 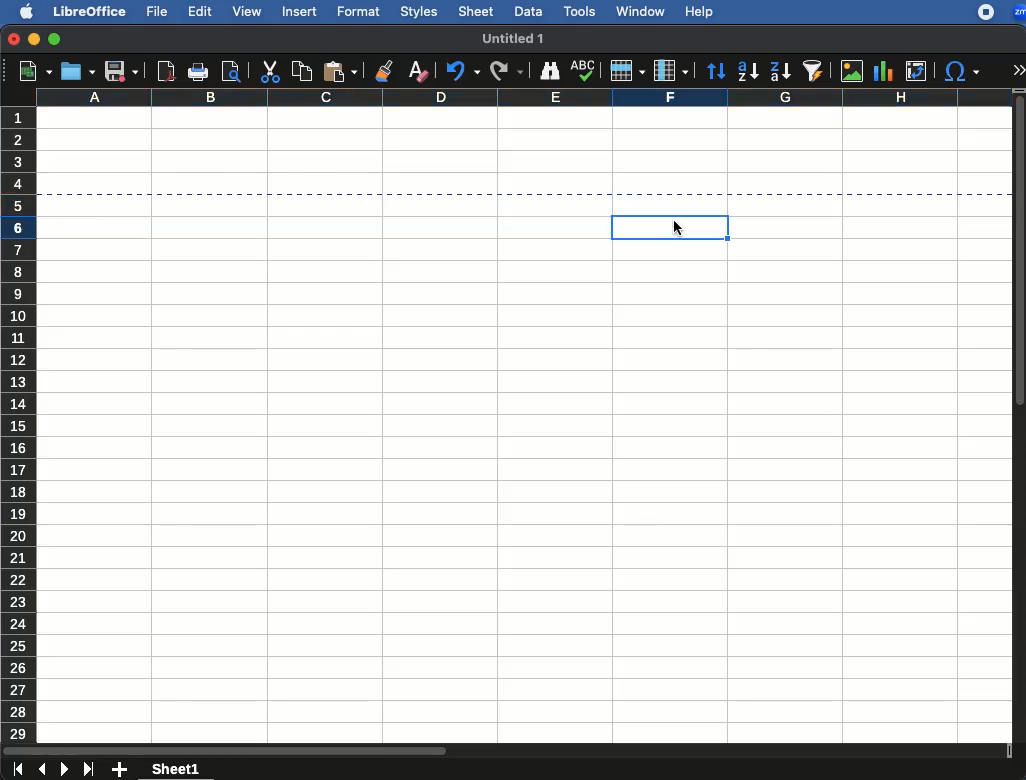 What do you see at coordinates (641, 10) in the screenshot?
I see `window` at bounding box center [641, 10].